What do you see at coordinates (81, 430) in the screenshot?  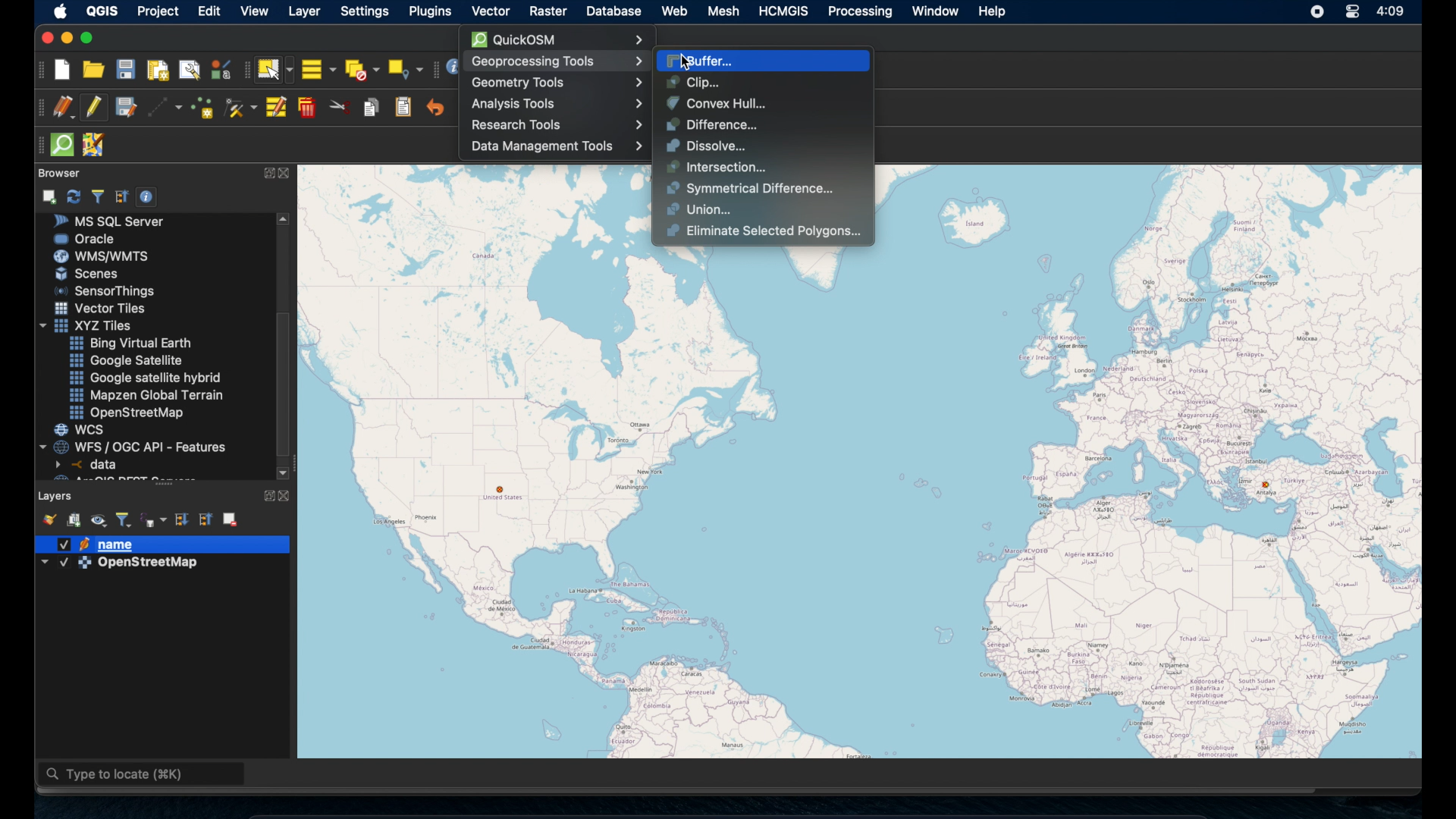 I see `wcs` at bounding box center [81, 430].